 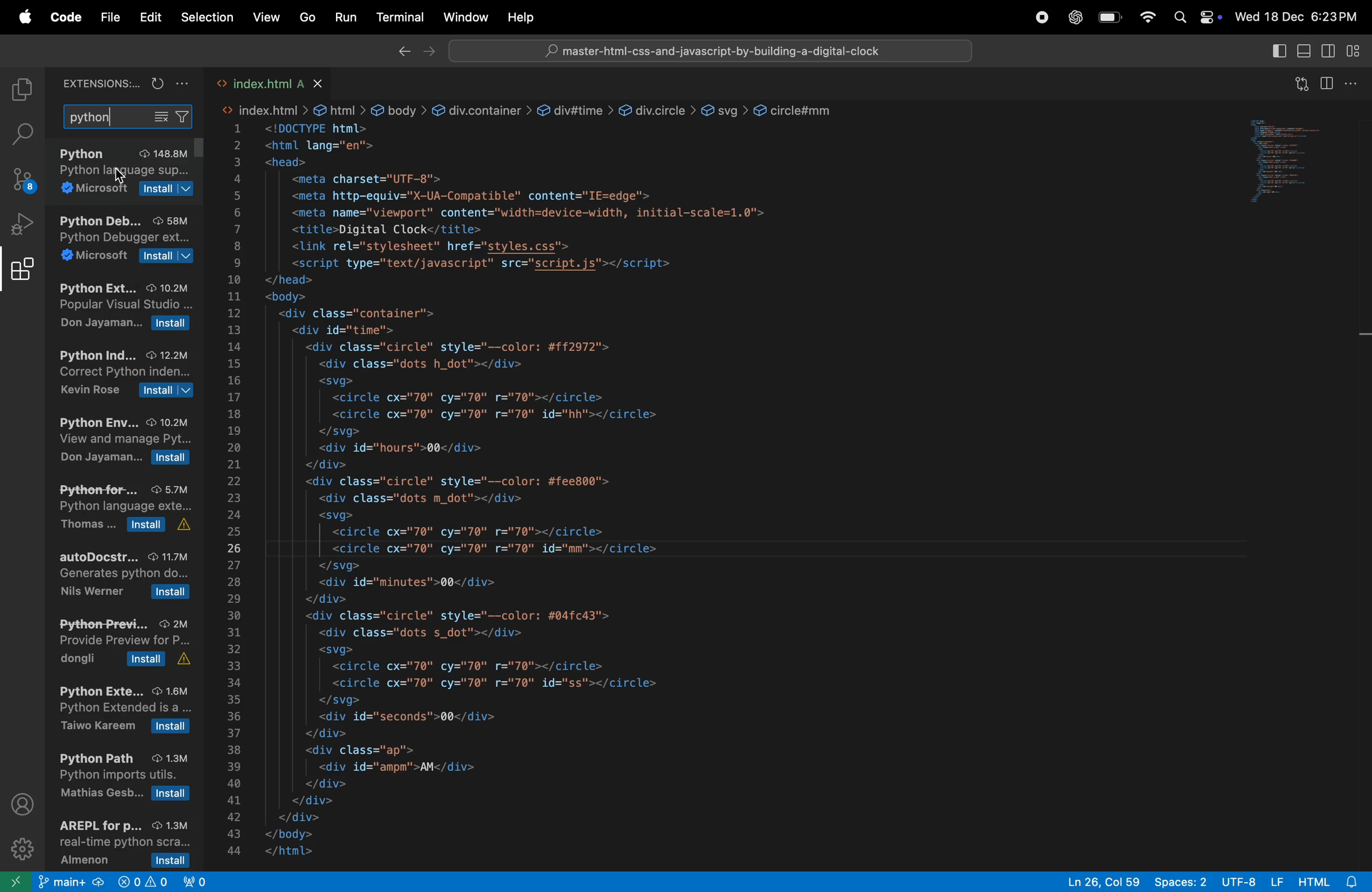 What do you see at coordinates (263, 18) in the screenshot?
I see `view` at bounding box center [263, 18].